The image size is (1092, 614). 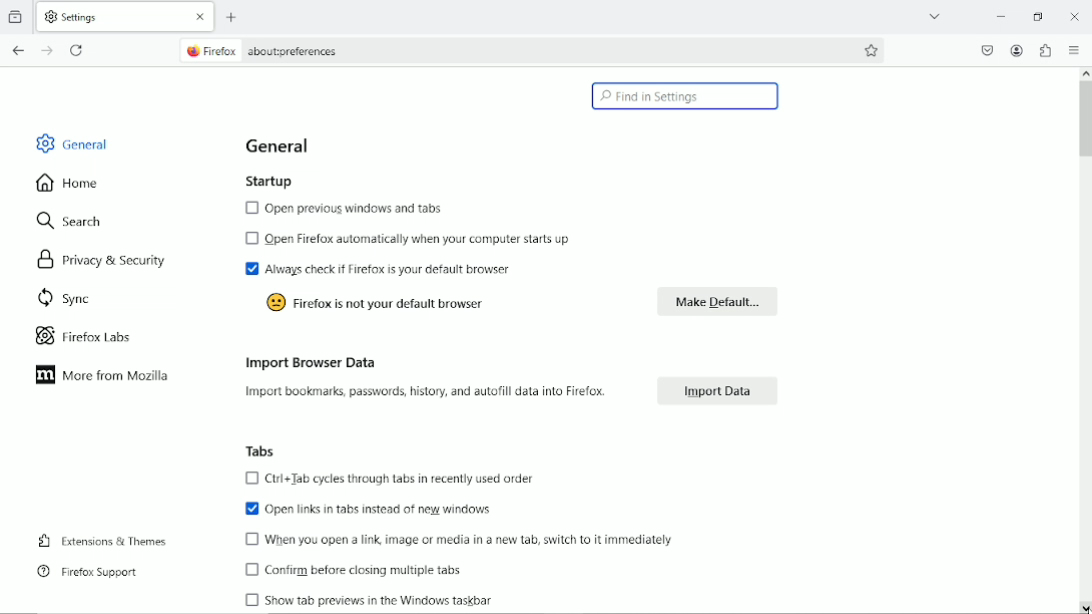 I want to click on Open previous windows and tabs, so click(x=354, y=209).